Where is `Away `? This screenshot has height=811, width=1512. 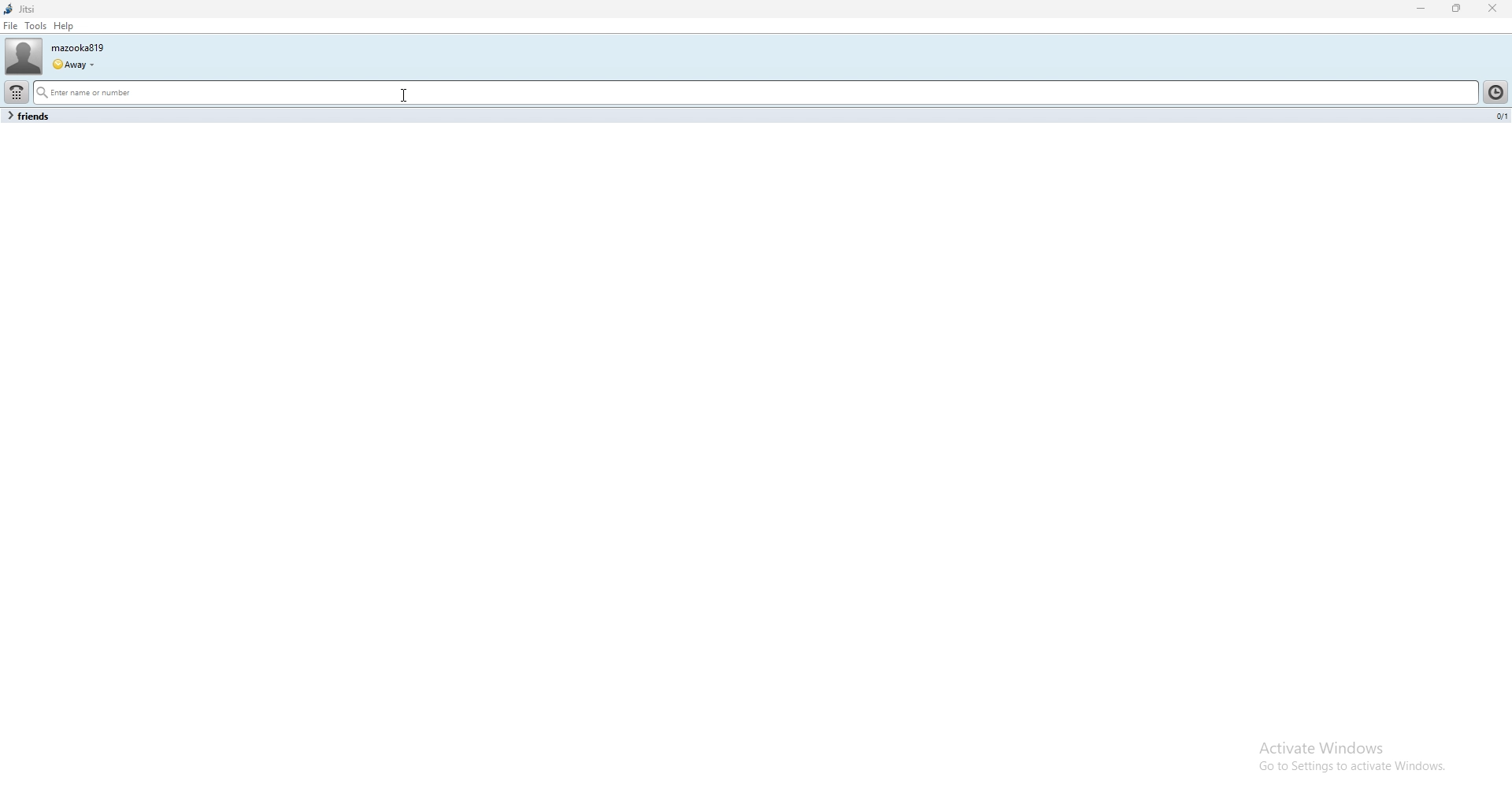
Away  is located at coordinates (75, 62).